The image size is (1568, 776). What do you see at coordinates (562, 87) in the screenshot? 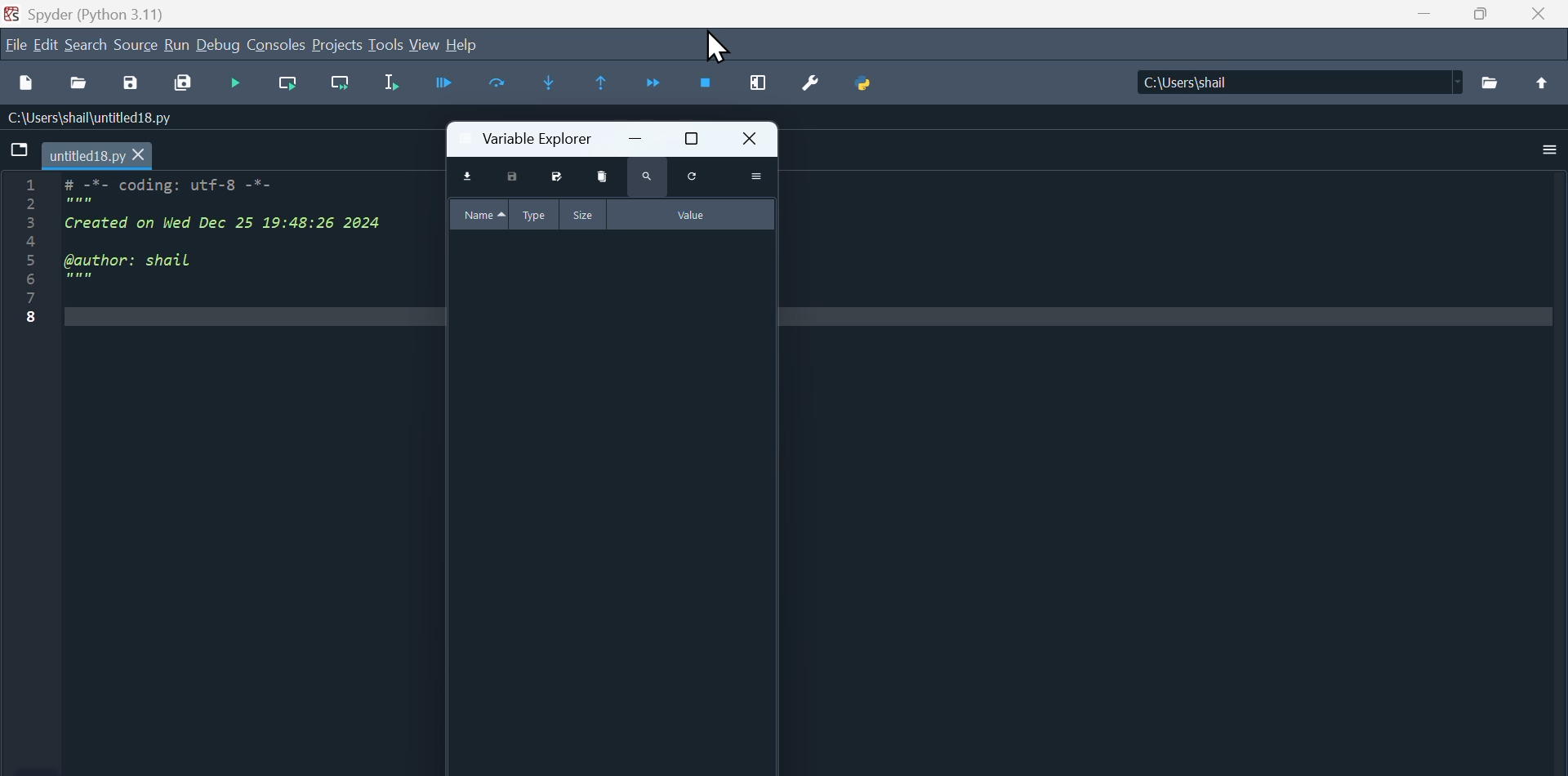
I see `Step into function` at bounding box center [562, 87].